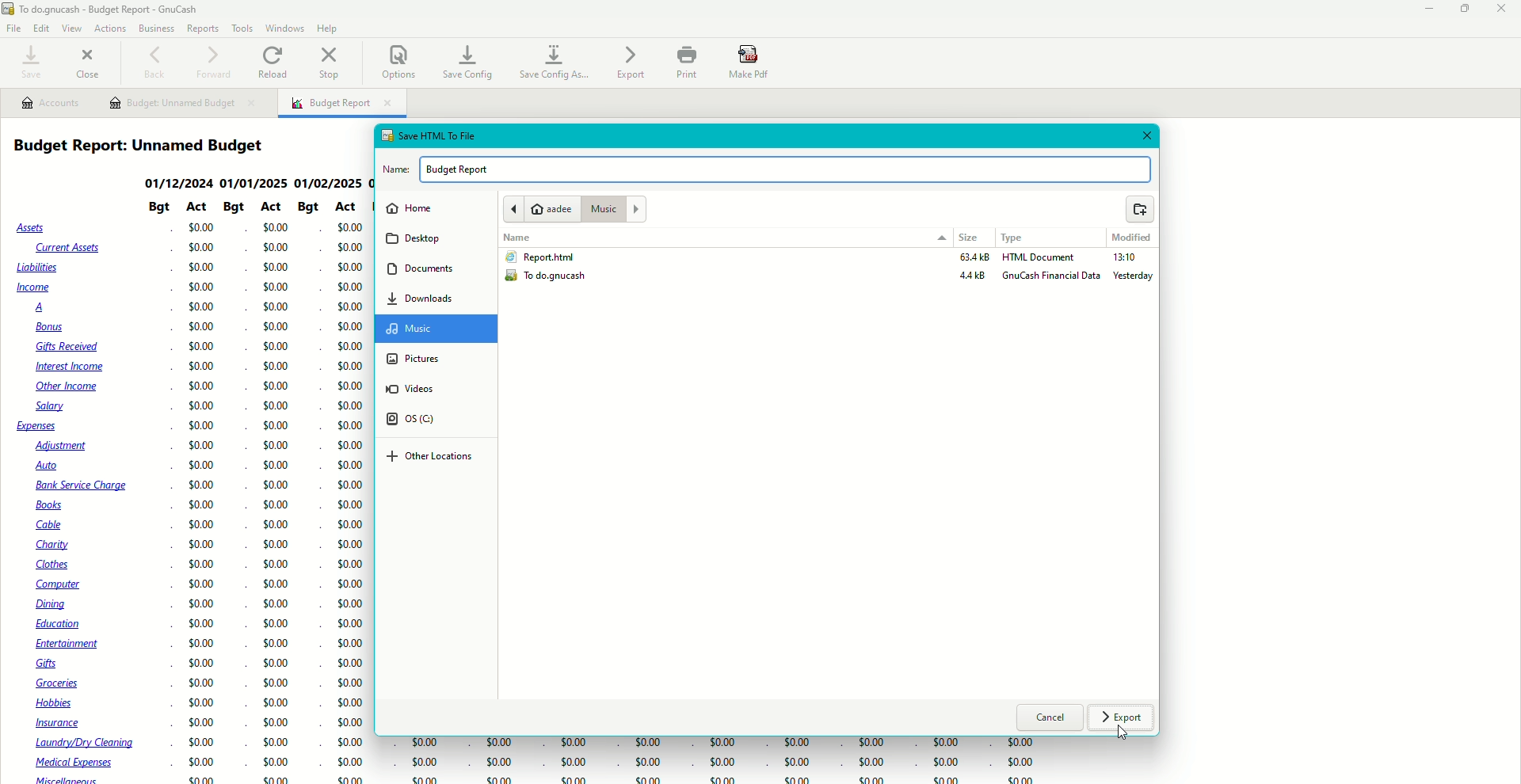 Image resolution: width=1521 pixels, height=784 pixels. I want to click on Options, so click(398, 61).